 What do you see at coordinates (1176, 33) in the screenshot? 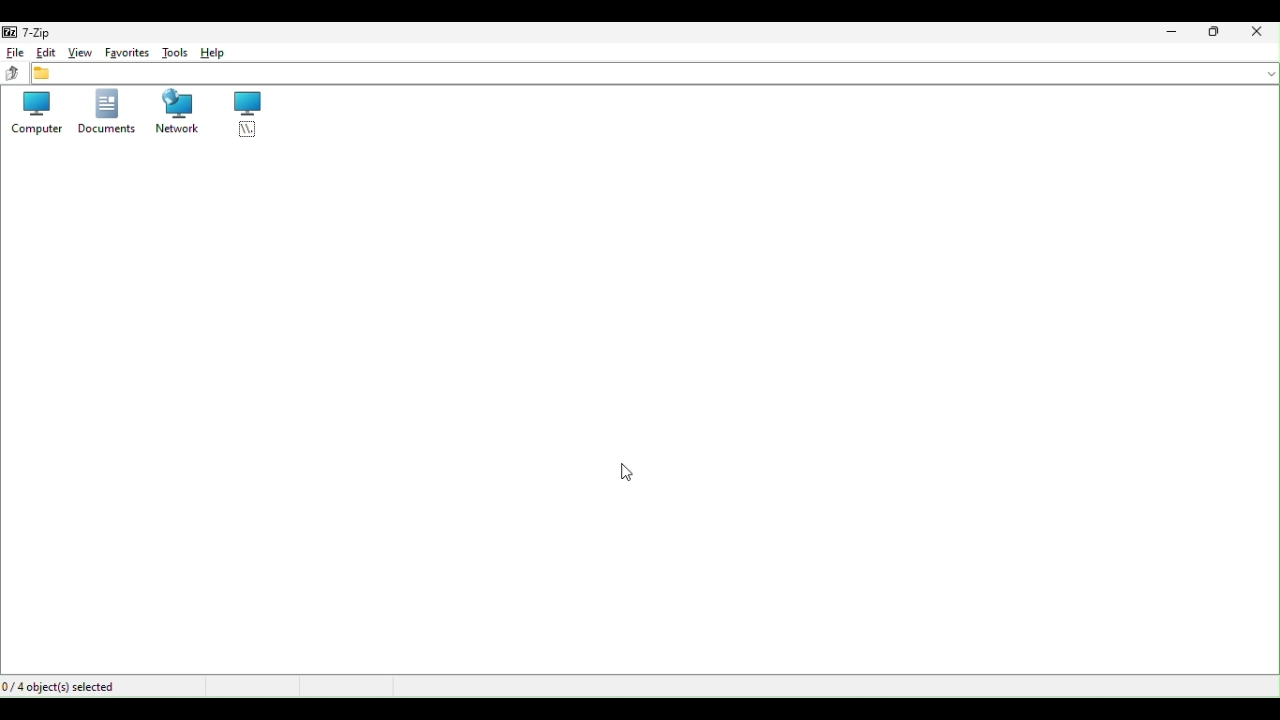
I see `Minimise` at bounding box center [1176, 33].